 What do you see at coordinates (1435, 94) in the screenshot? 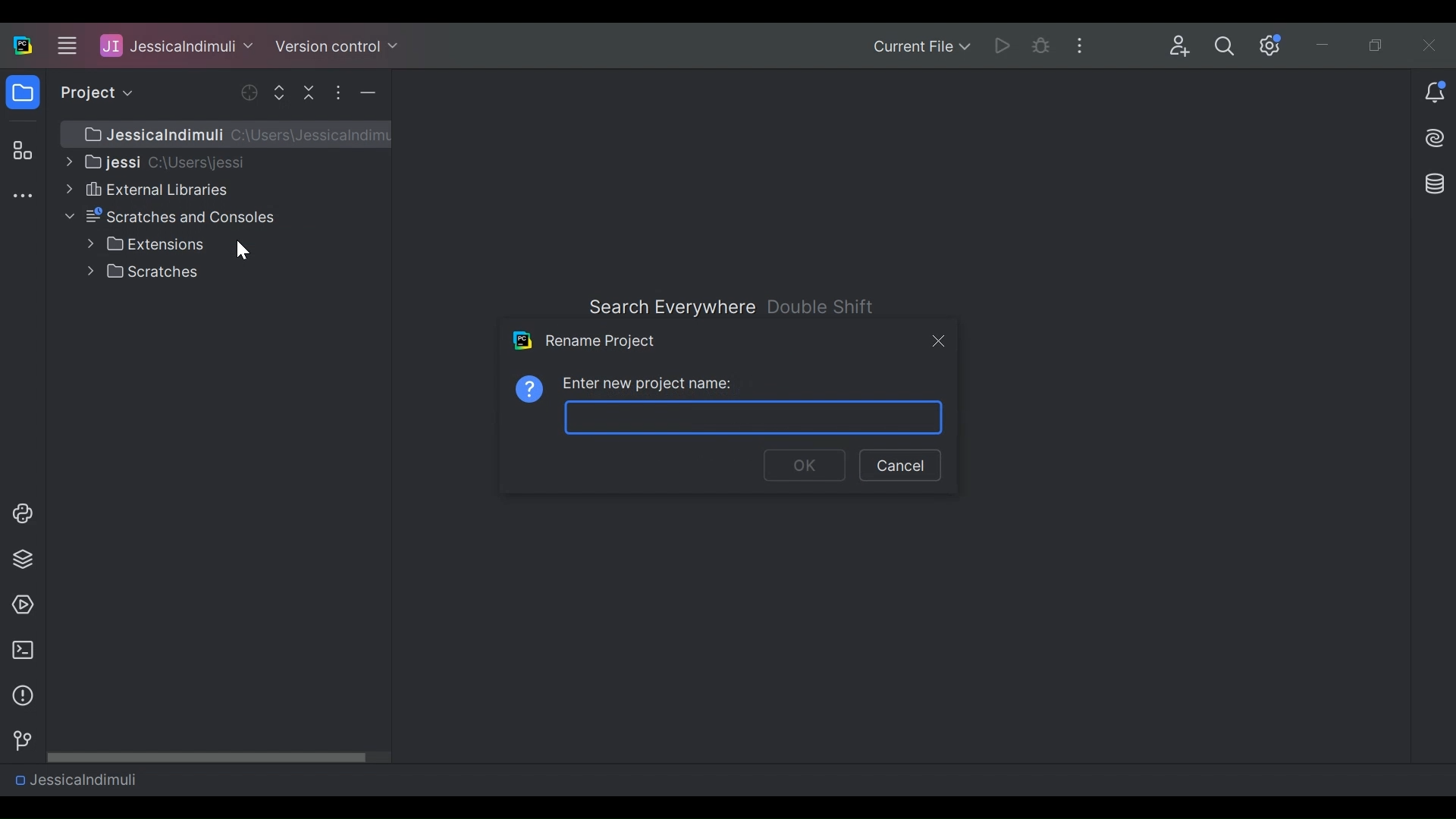
I see `Notification` at bounding box center [1435, 94].